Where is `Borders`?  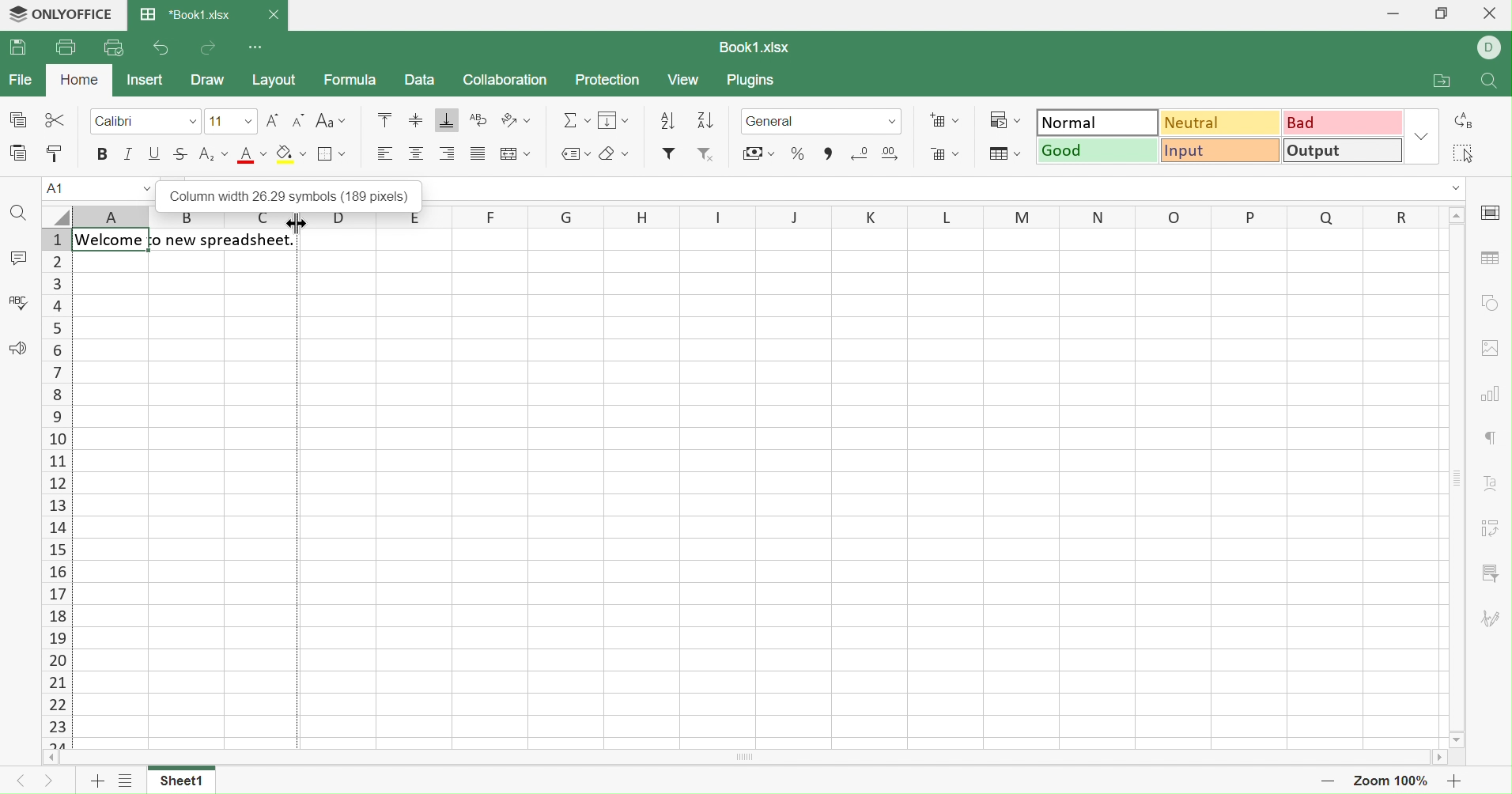 Borders is located at coordinates (329, 153).